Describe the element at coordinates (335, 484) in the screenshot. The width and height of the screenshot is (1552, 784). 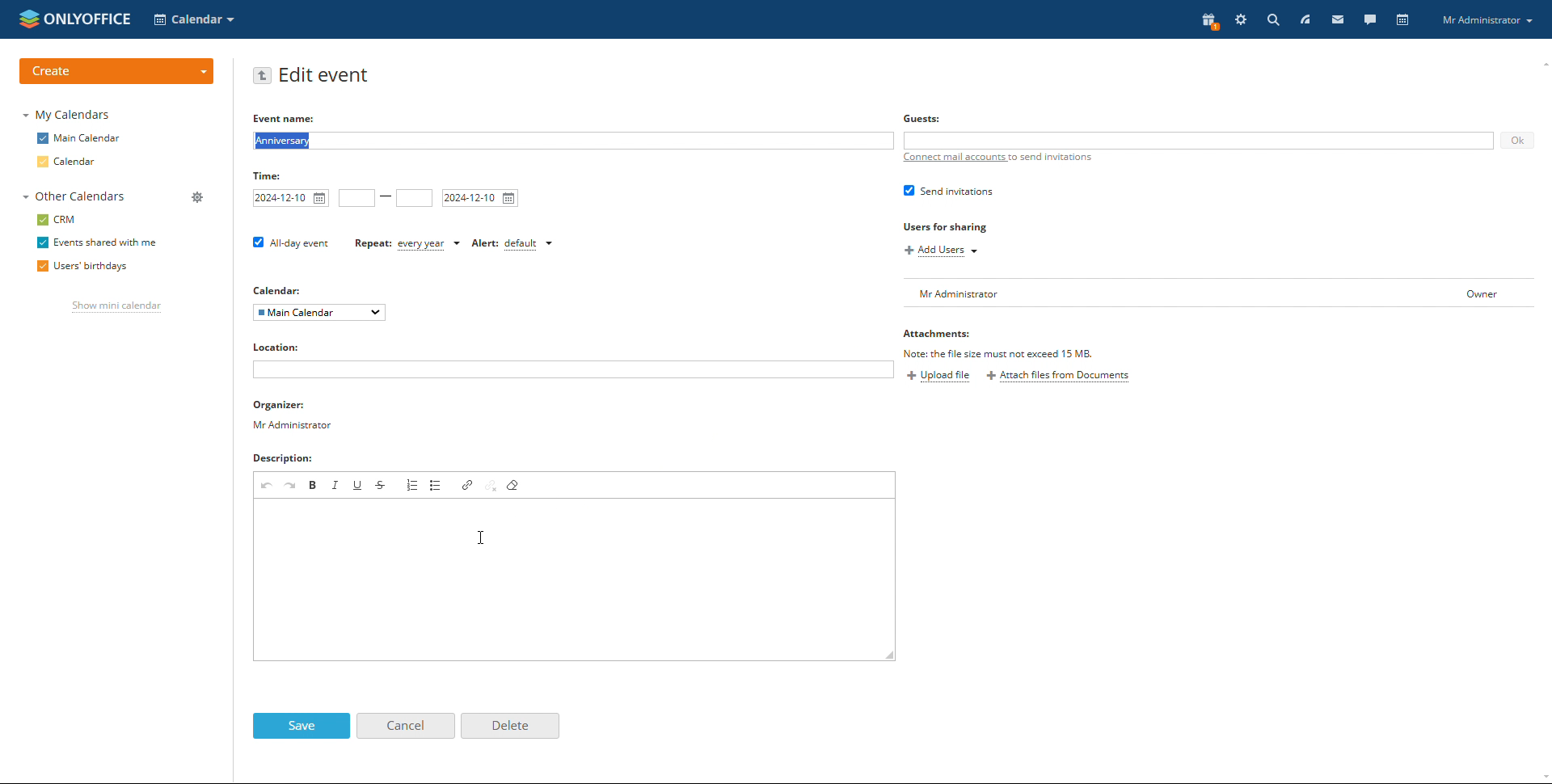
I see `italic` at that location.